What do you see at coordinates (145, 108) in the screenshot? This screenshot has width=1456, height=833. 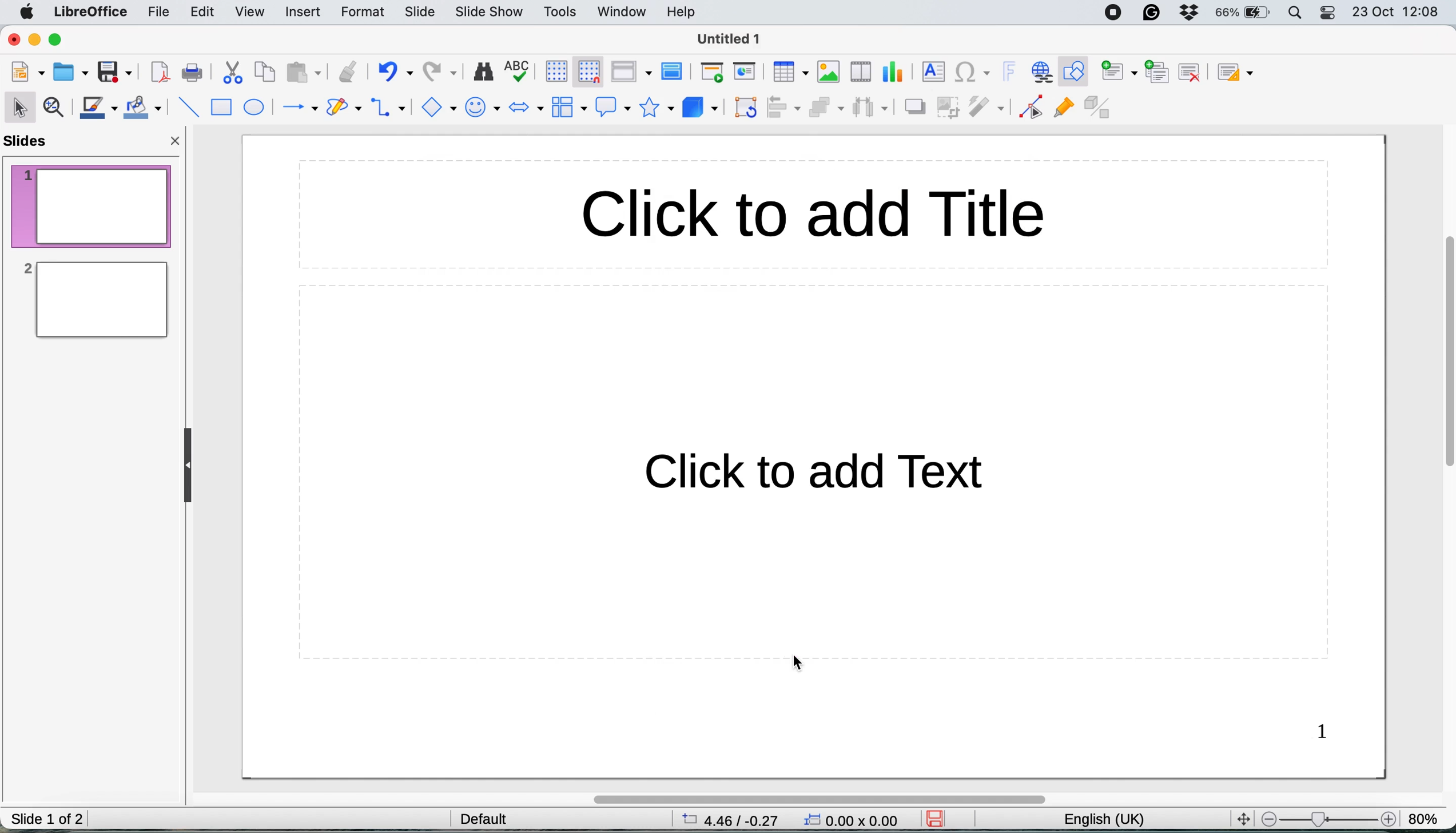 I see `fill color` at bounding box center [145, 108].